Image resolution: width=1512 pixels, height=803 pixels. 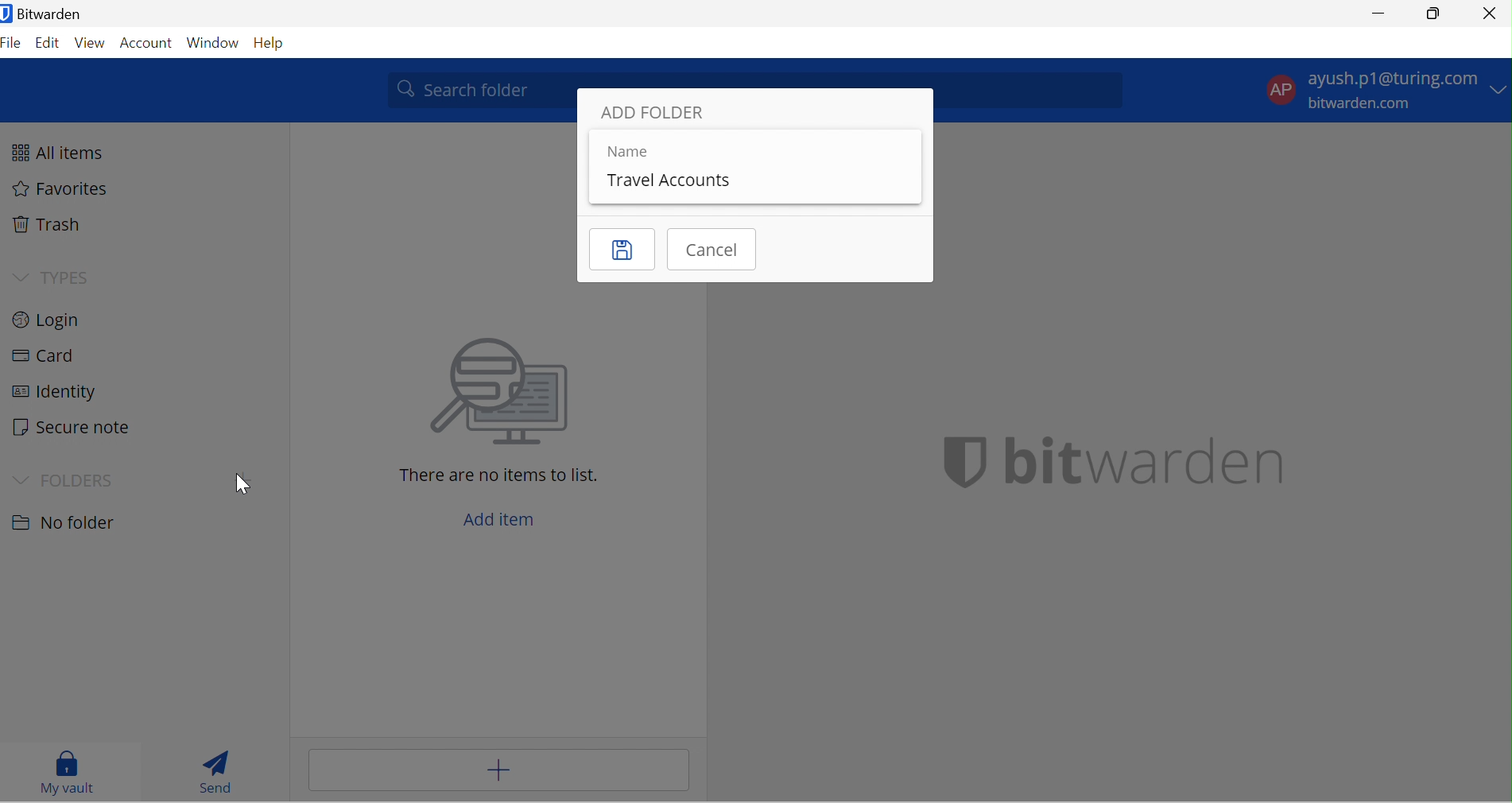 What do you see at coordinates (1500, 90) in the screenshot?
I see `Drop Down` at bounding box center [1500, 90].